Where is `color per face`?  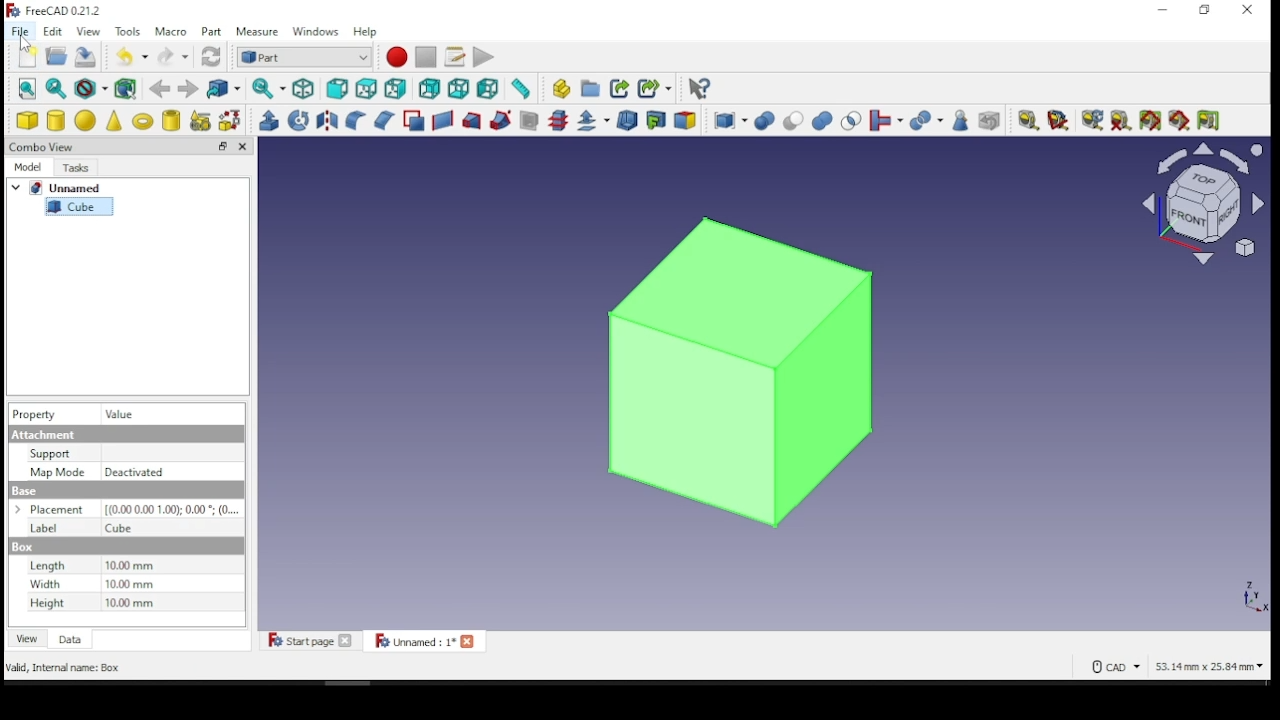 color per face is located at coordinates (688, 120).